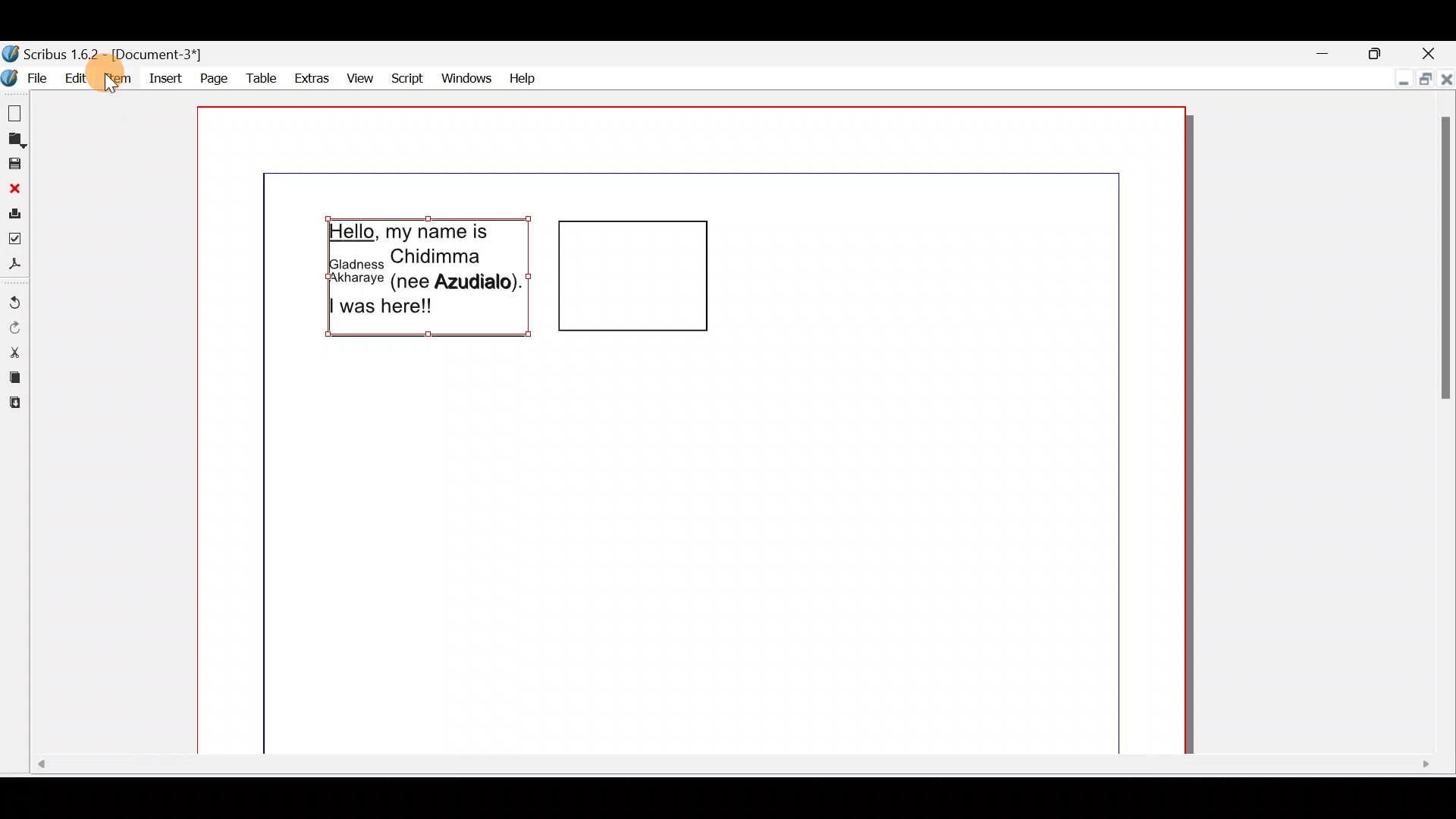  Describe the element at coordinates (115, 54) in the screenshot. I see `Document name` at that location.